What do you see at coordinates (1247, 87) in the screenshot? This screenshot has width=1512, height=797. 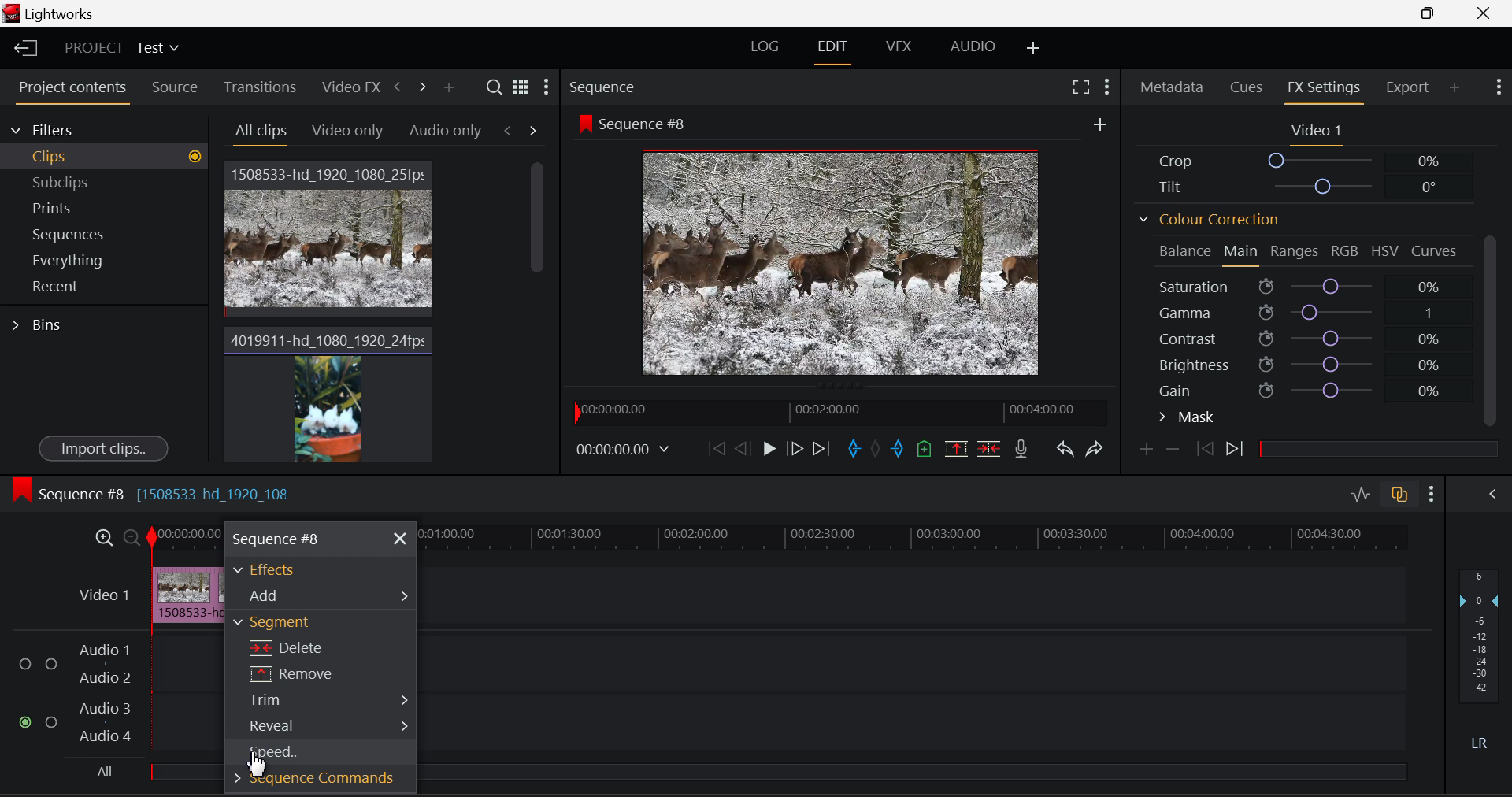 I see `Cues` at bounding box center [1247, 87].